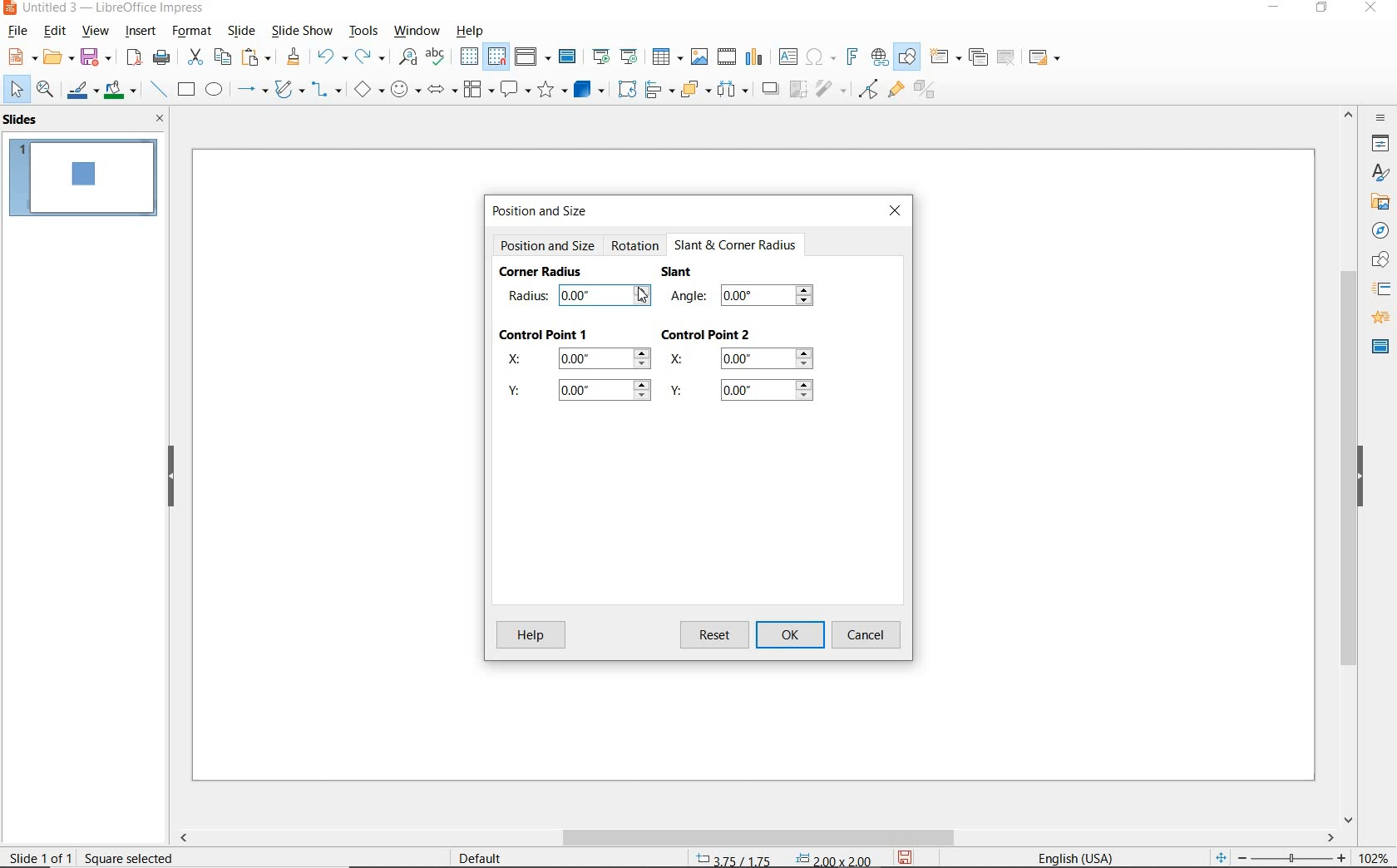 The image size is (1397, 868). I want to click on zoom factor, so click(1374, 854).